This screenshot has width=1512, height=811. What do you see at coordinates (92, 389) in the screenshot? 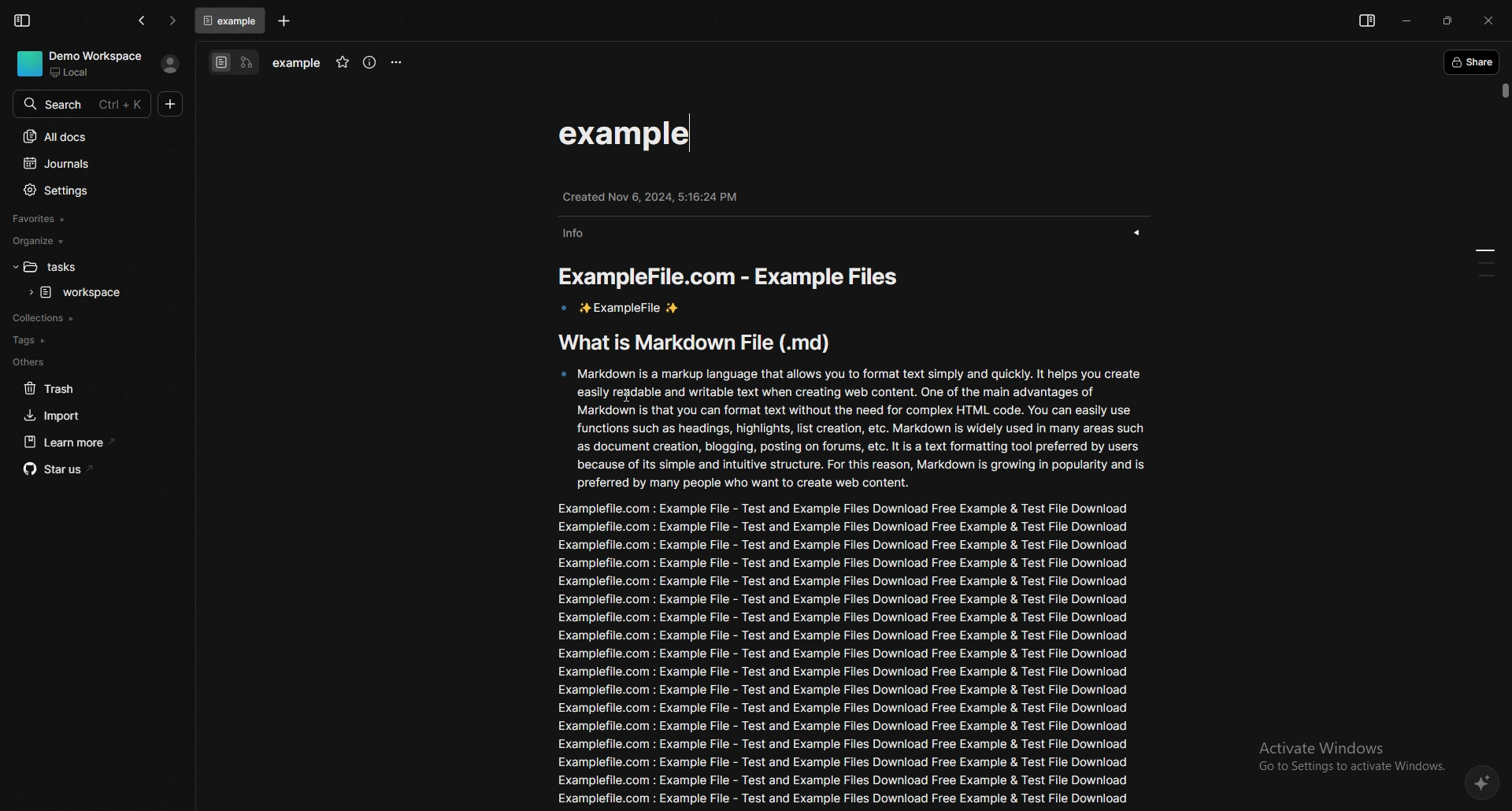
I see `trash` at bounding box center [92, 389].